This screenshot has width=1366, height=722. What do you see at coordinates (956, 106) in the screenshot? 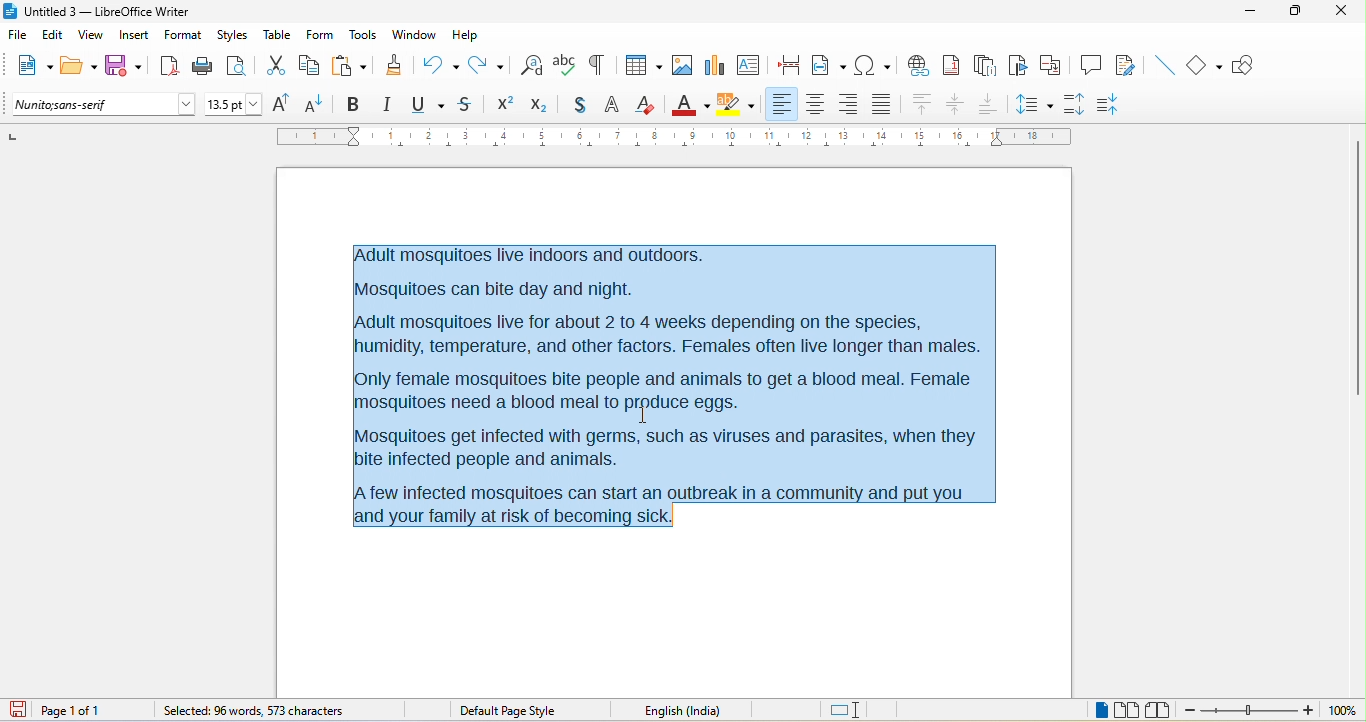
I see `align center` at bounding box center [956, 106].